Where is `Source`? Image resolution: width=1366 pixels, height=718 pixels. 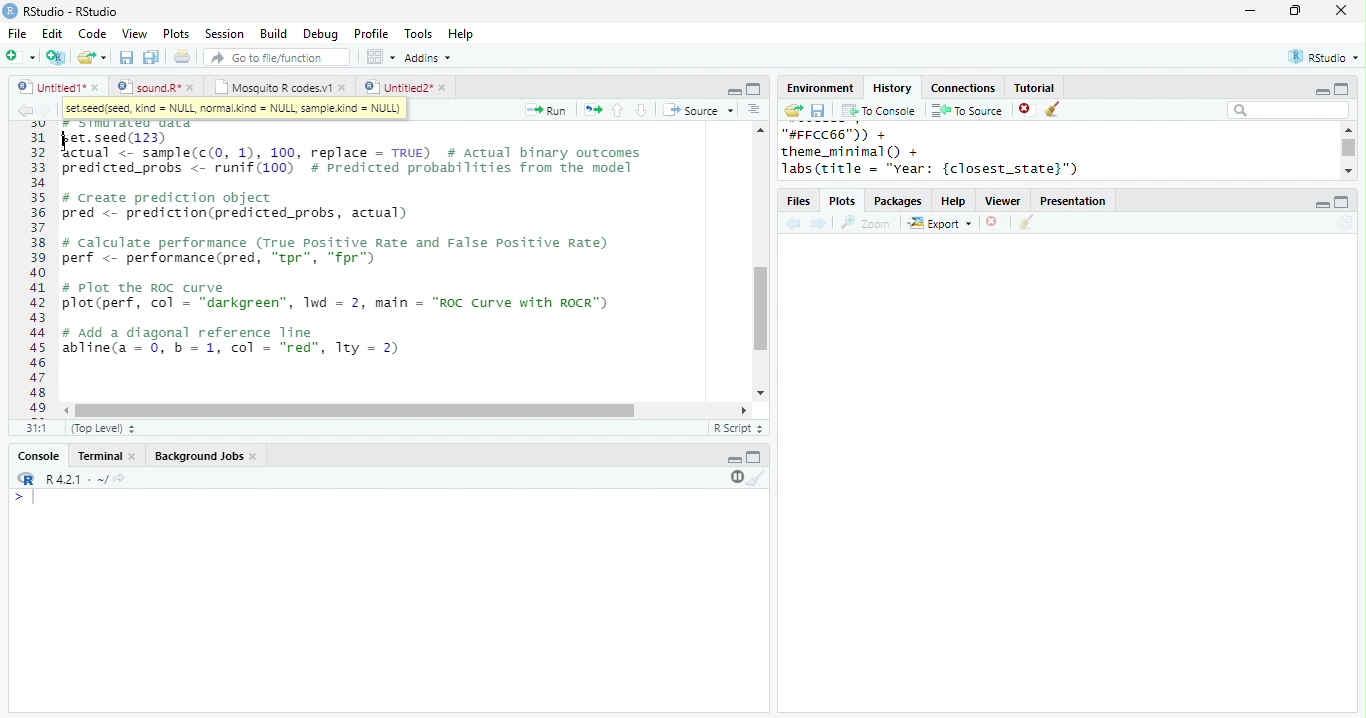
Source is located at coordinates (700, 110).